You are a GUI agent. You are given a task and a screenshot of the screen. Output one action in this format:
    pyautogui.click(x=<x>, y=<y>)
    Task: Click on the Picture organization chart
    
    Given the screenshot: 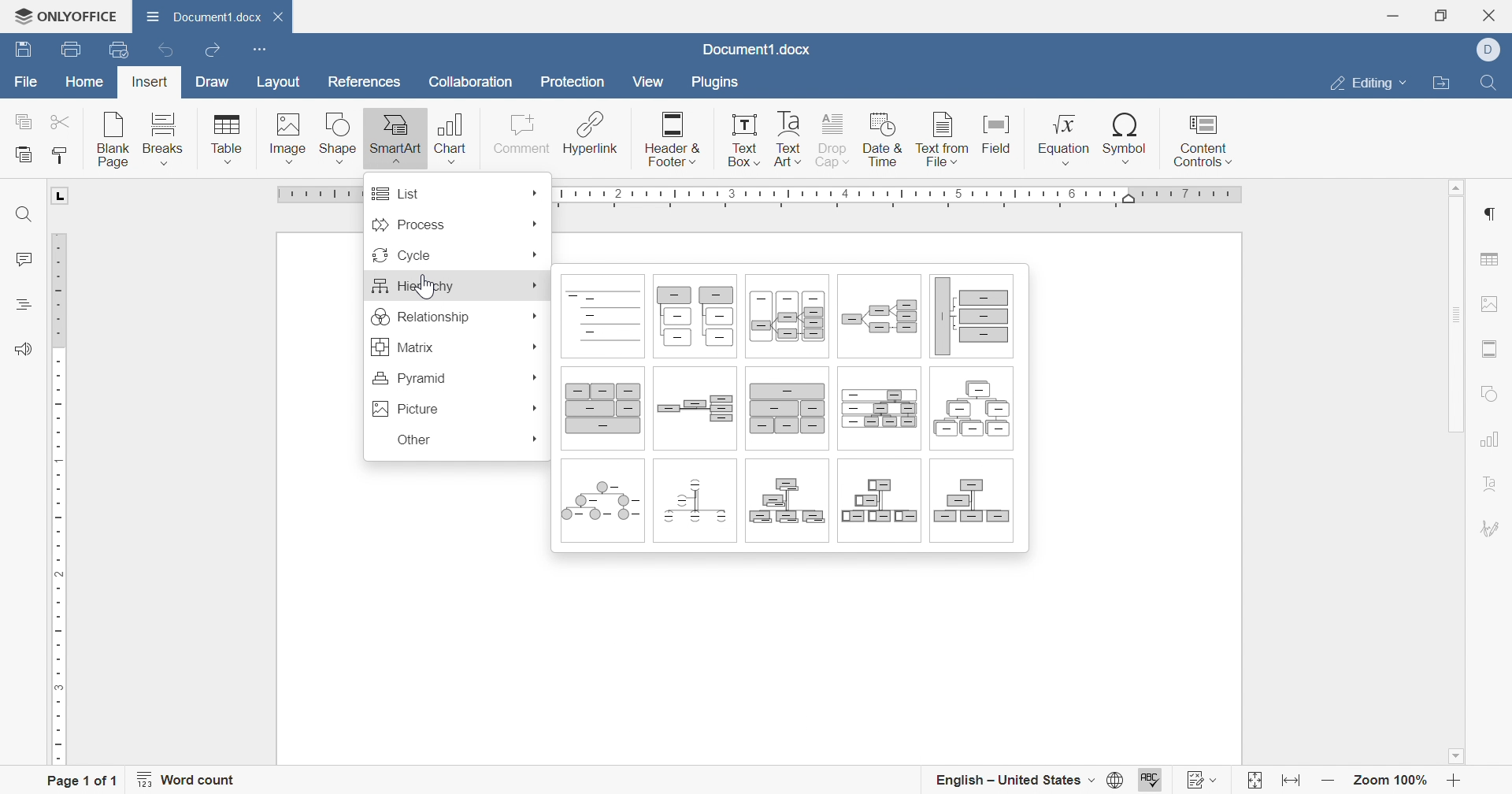 What is the action you would take?
    pyautogui.click(x=878, y=505)
    